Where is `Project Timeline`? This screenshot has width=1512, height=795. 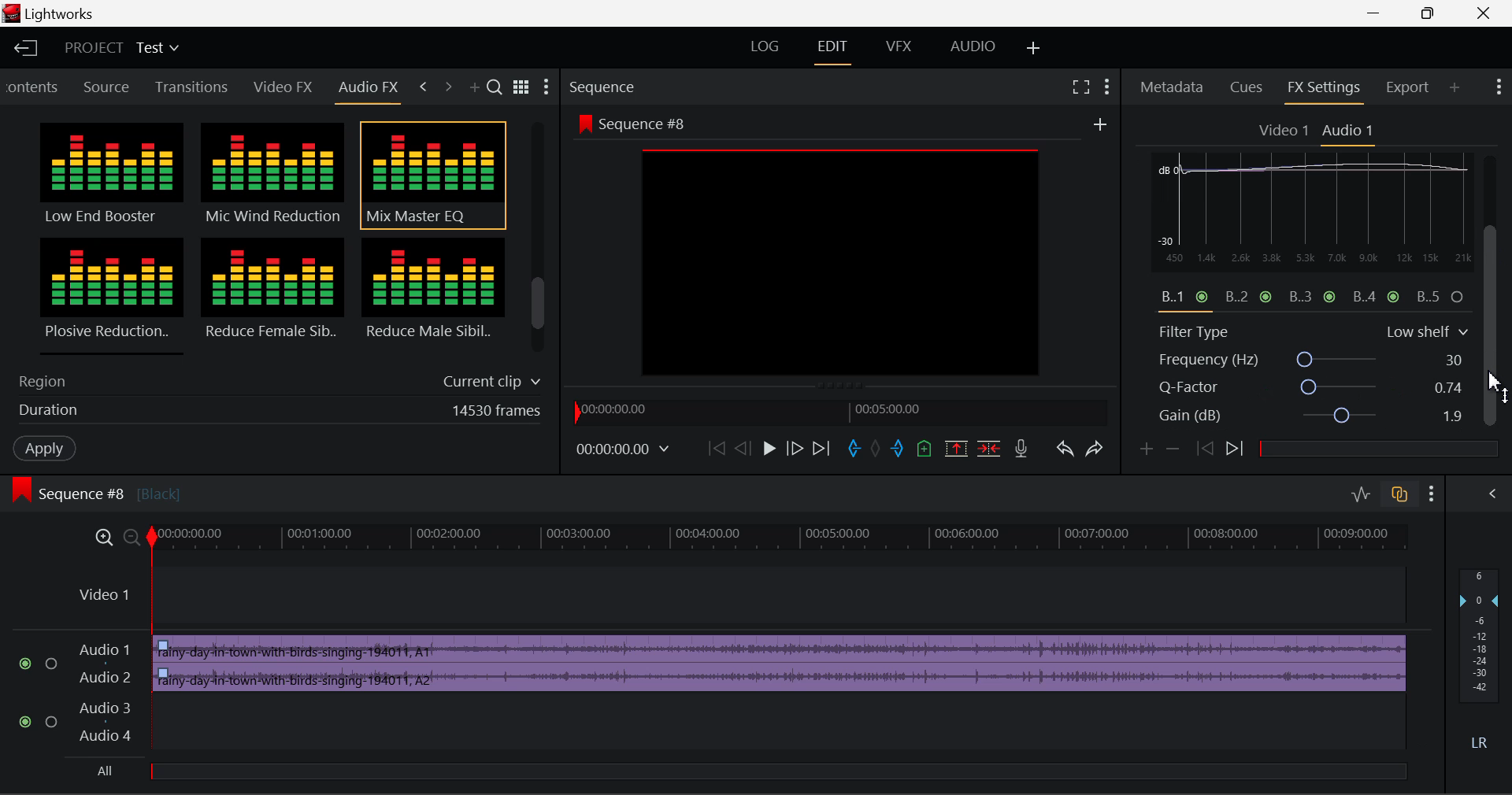
Project Timeline is located at coordinates (783, 539).